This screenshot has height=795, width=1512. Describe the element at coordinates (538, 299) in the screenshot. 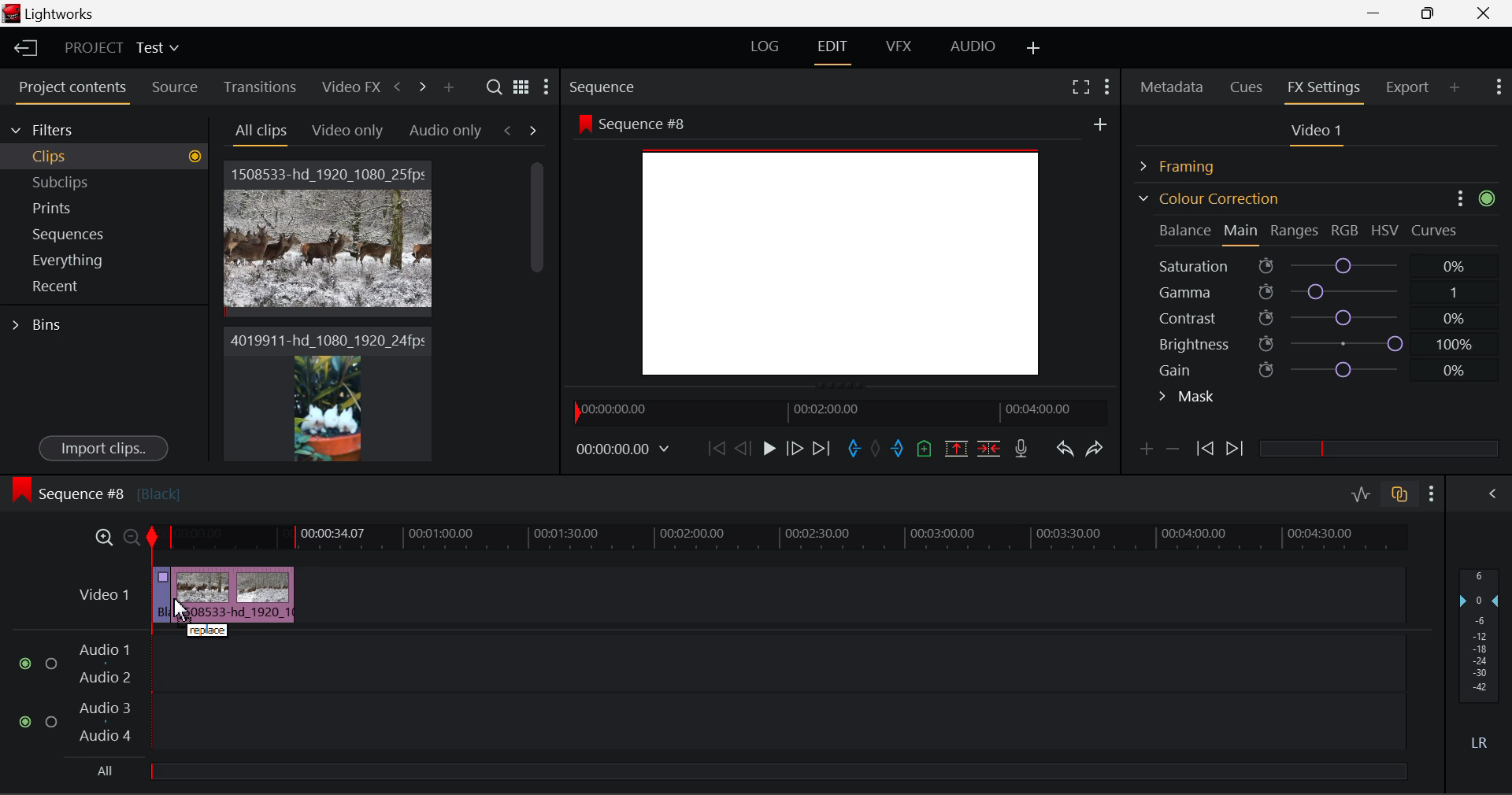

I see `Scroll Bar` at that location.